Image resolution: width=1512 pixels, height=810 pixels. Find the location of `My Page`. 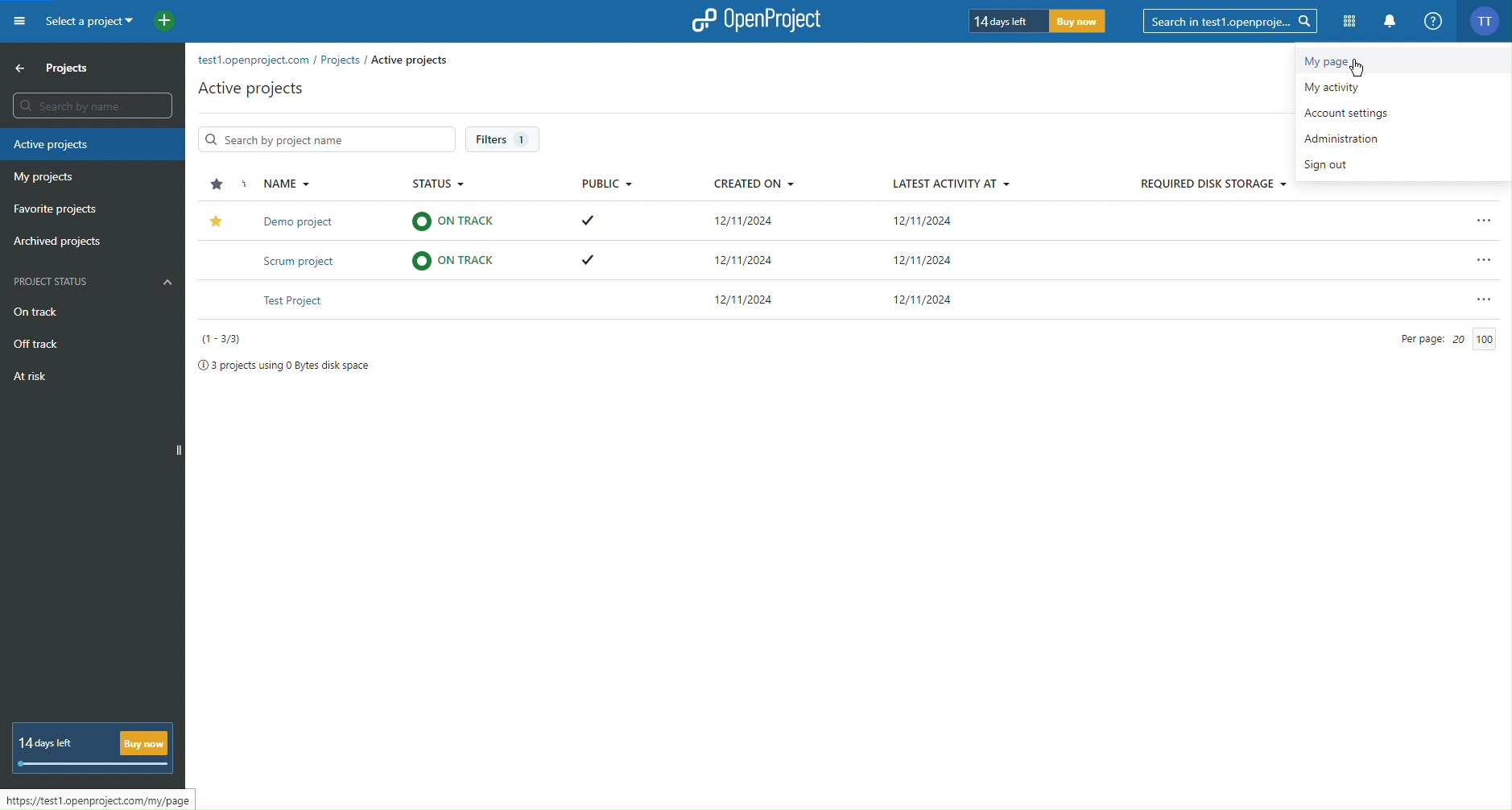

My Page is located at coordinates (1345, 57).